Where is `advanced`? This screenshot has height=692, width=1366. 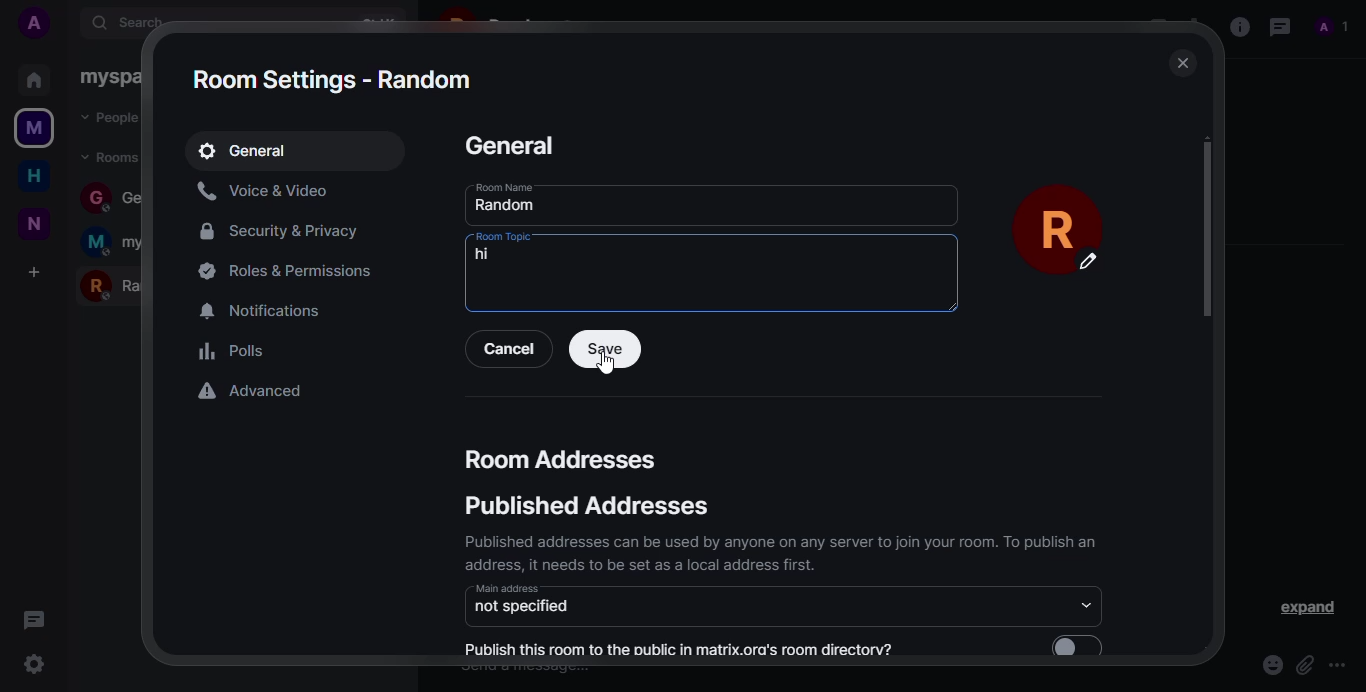 advanced is located at coordinates (255, 391).